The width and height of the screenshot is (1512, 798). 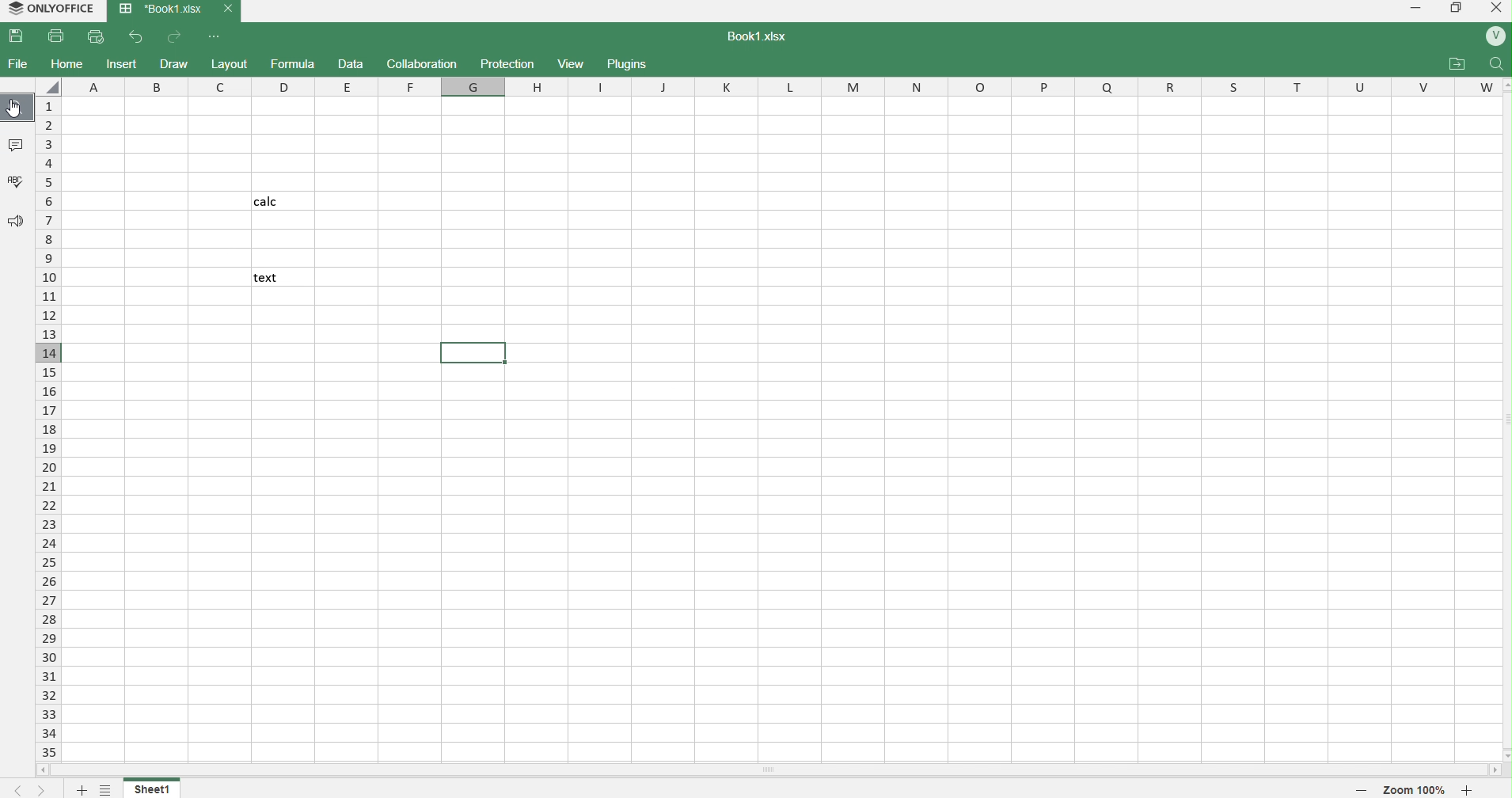 I want to click on formula, so click(x=295, y=65).